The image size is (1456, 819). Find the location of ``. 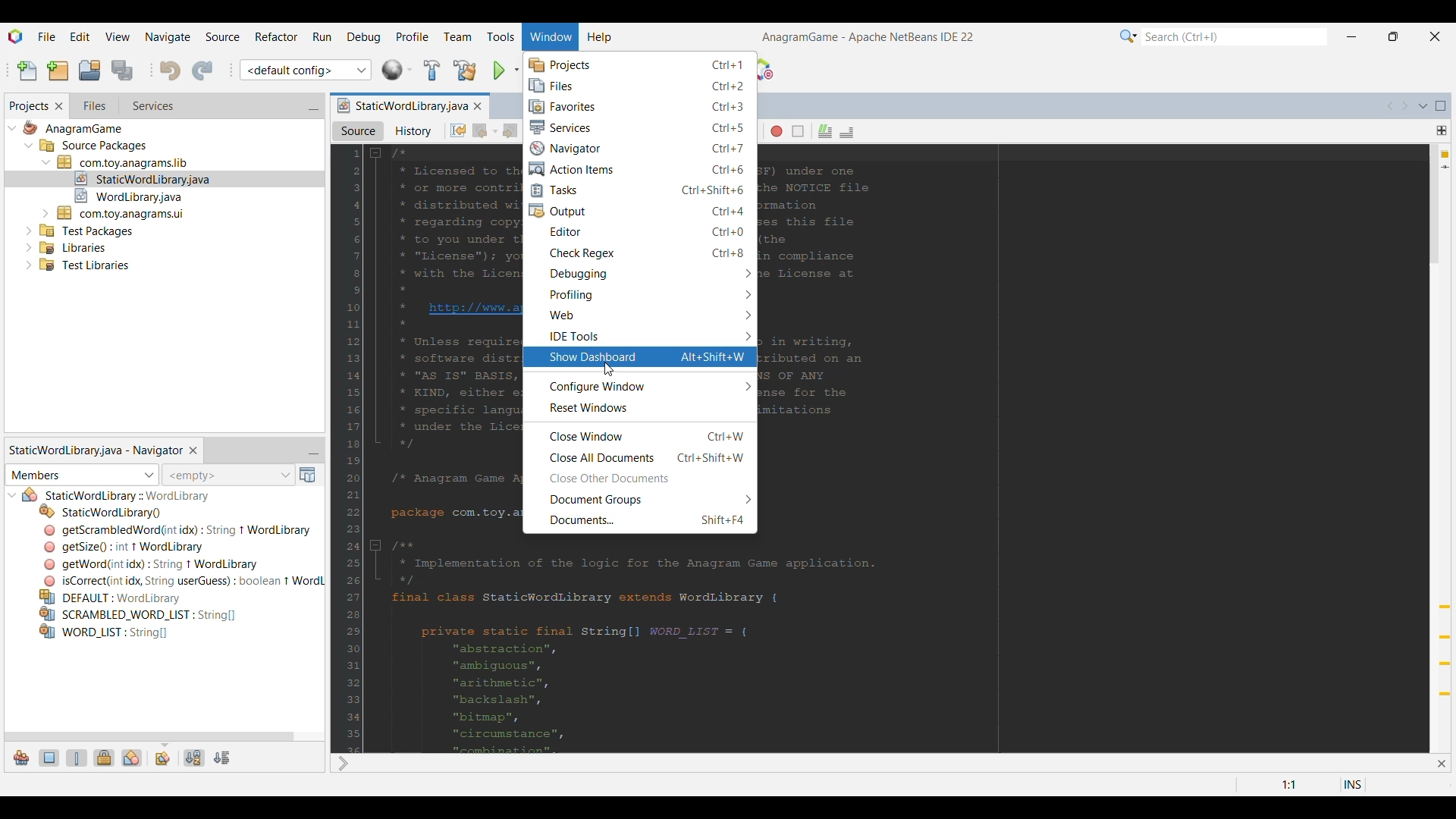

 is located at coordinates (138, 613).